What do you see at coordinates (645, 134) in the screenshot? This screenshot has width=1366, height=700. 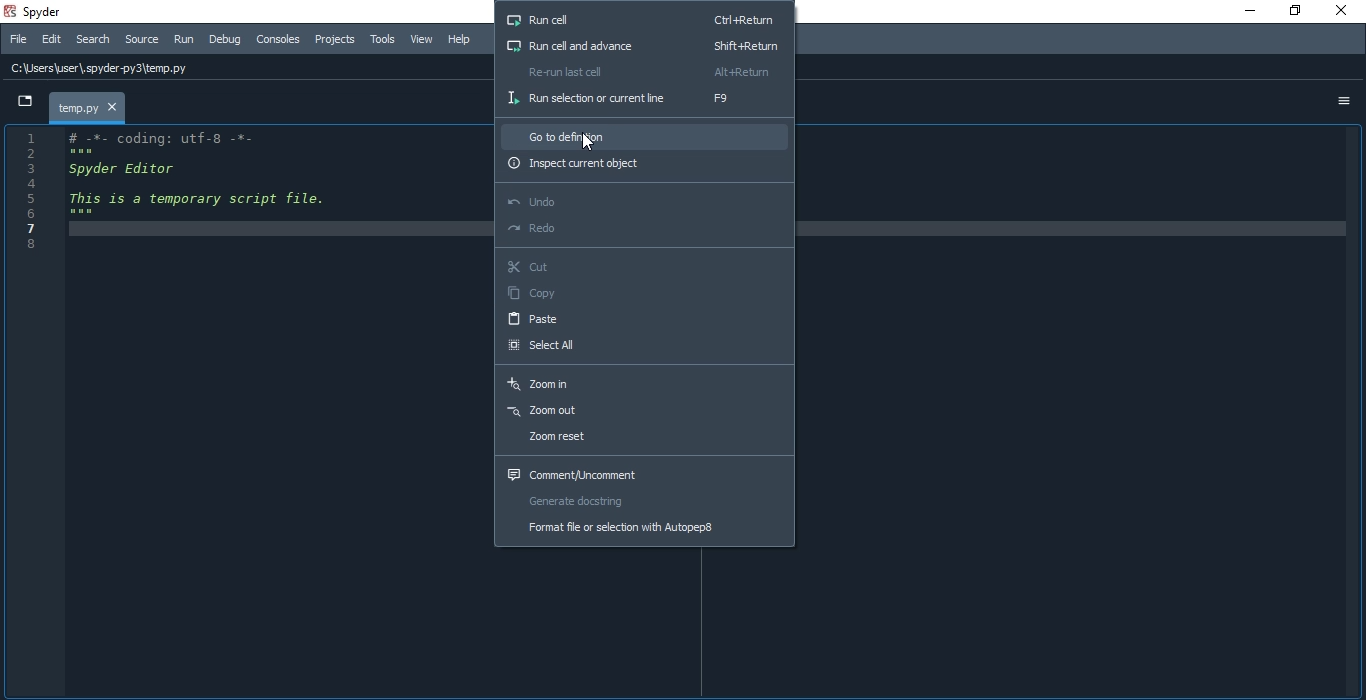 I see `Go to definition` at bounding box center [645, 134].